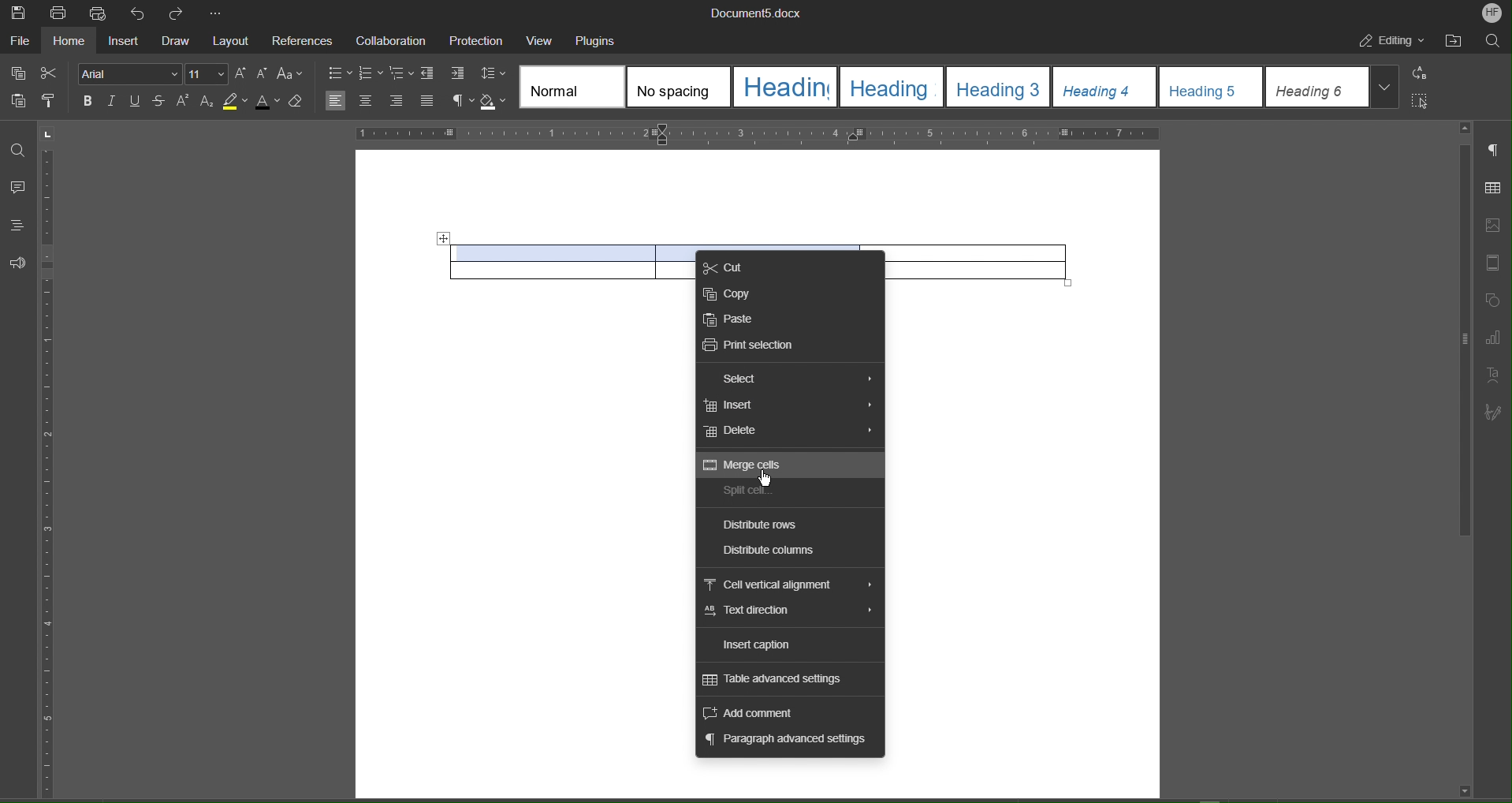 The width and height of the screenshot is (1512, 803). I want to click on Split Cell, so click(747, 495).